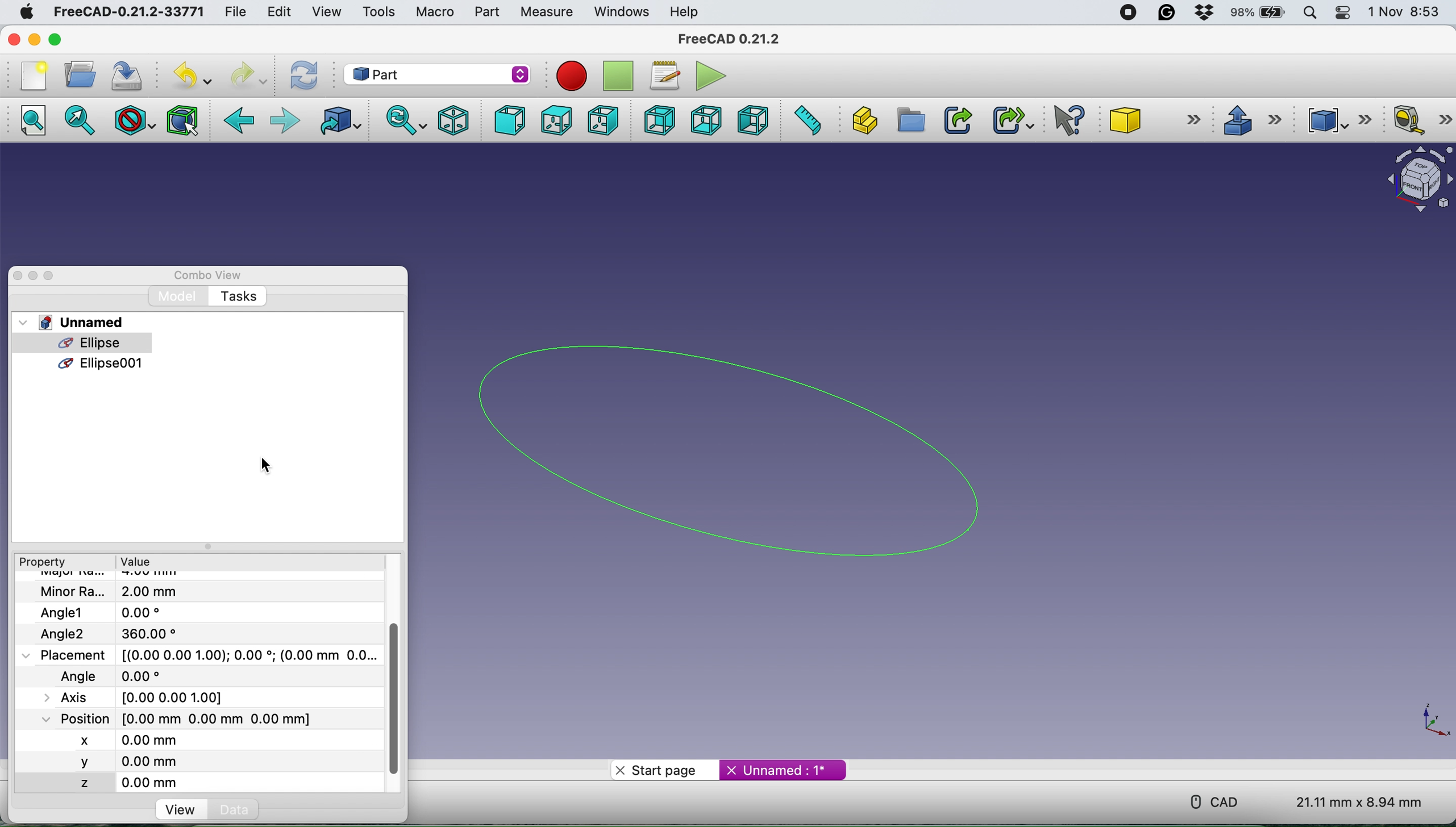  What do you see at coordinates (1072, 121) in the screenshot?
I see `what's this` at bounding box center [1072, 121].